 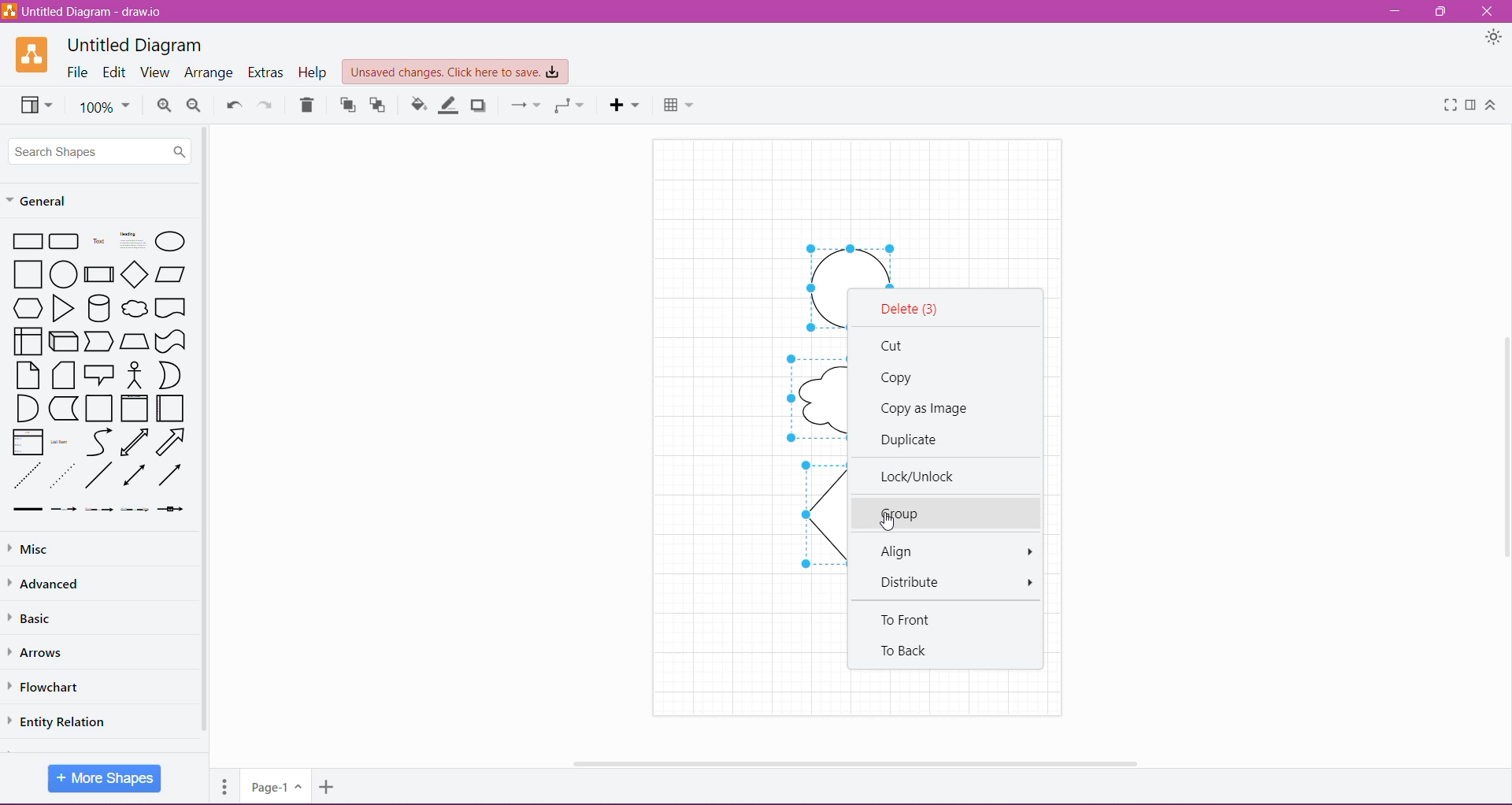 I want to click on Cut, so click(x=893, y=347).